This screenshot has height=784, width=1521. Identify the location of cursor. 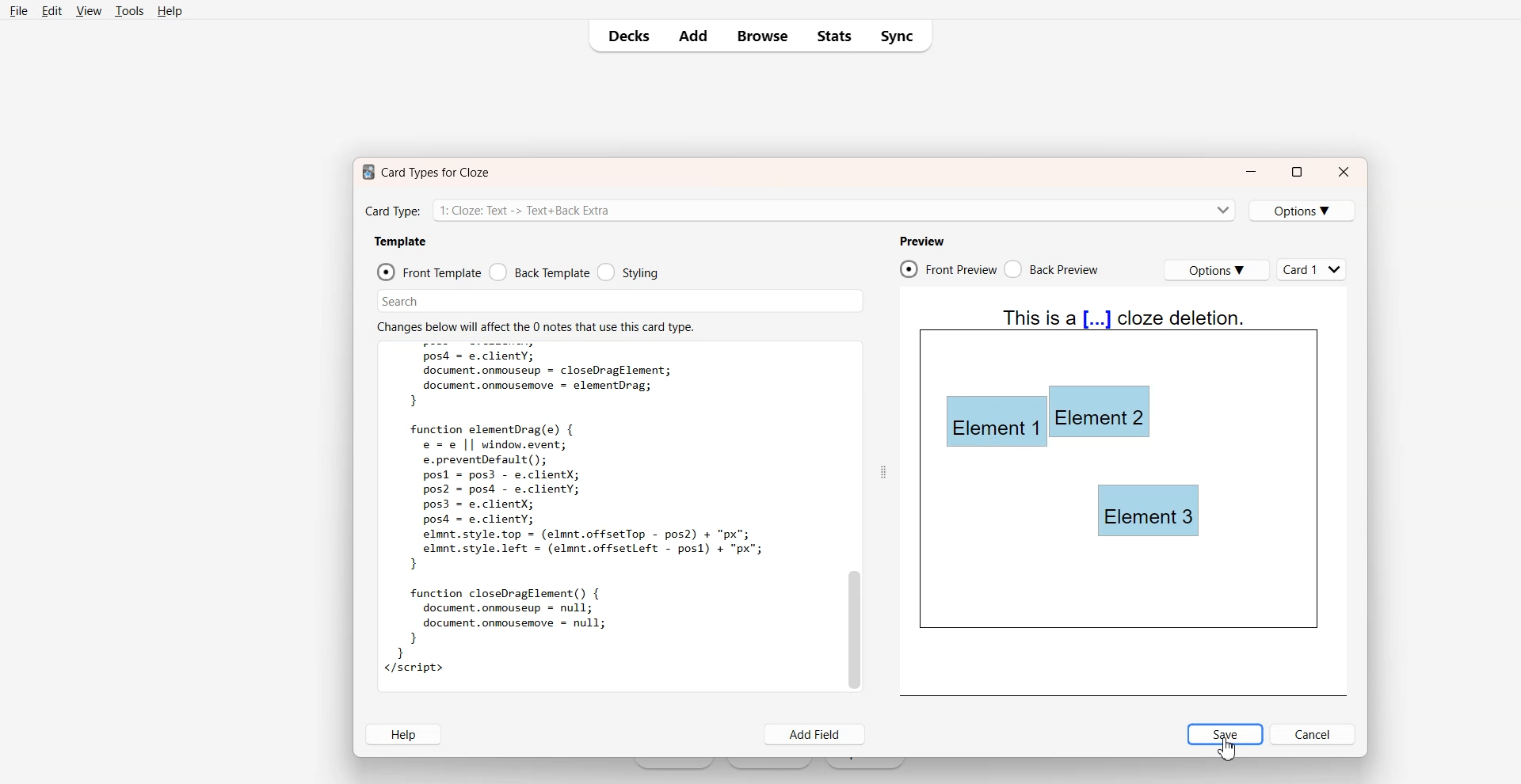
(1229, 748).